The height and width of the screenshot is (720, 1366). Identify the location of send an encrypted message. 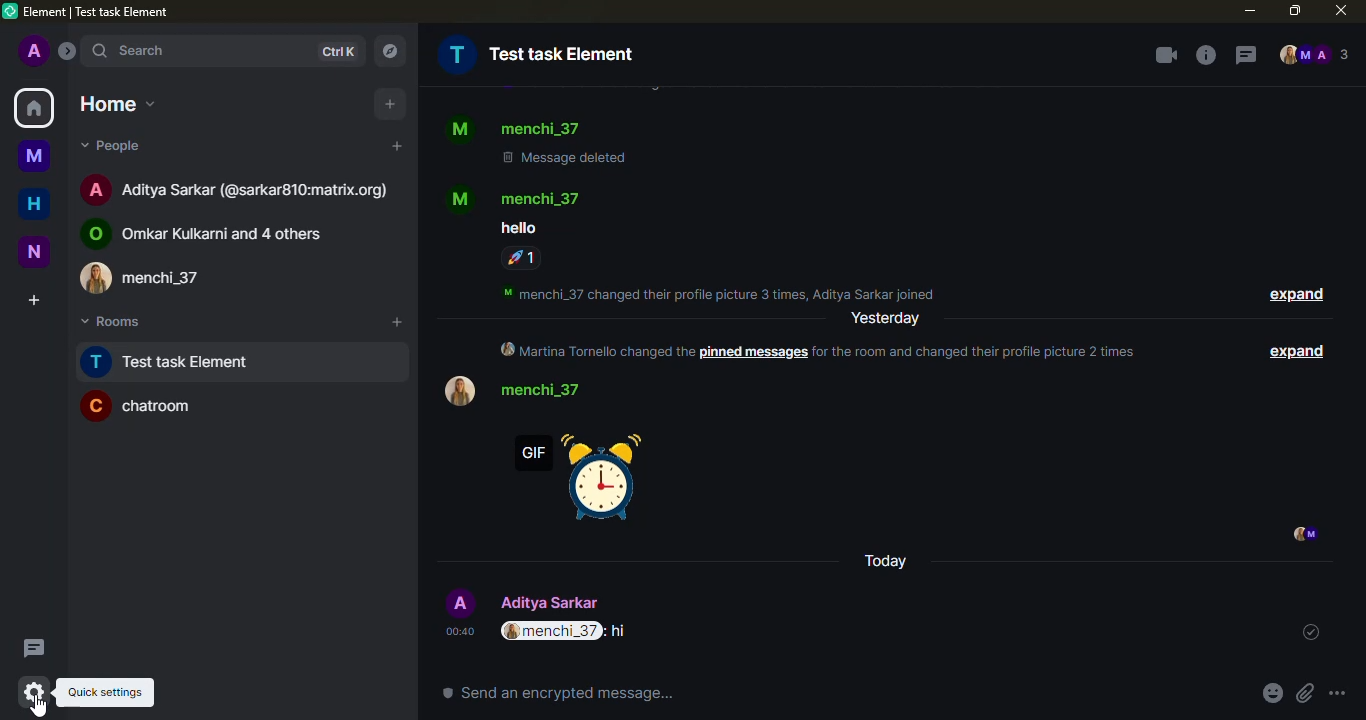
(559, 693).